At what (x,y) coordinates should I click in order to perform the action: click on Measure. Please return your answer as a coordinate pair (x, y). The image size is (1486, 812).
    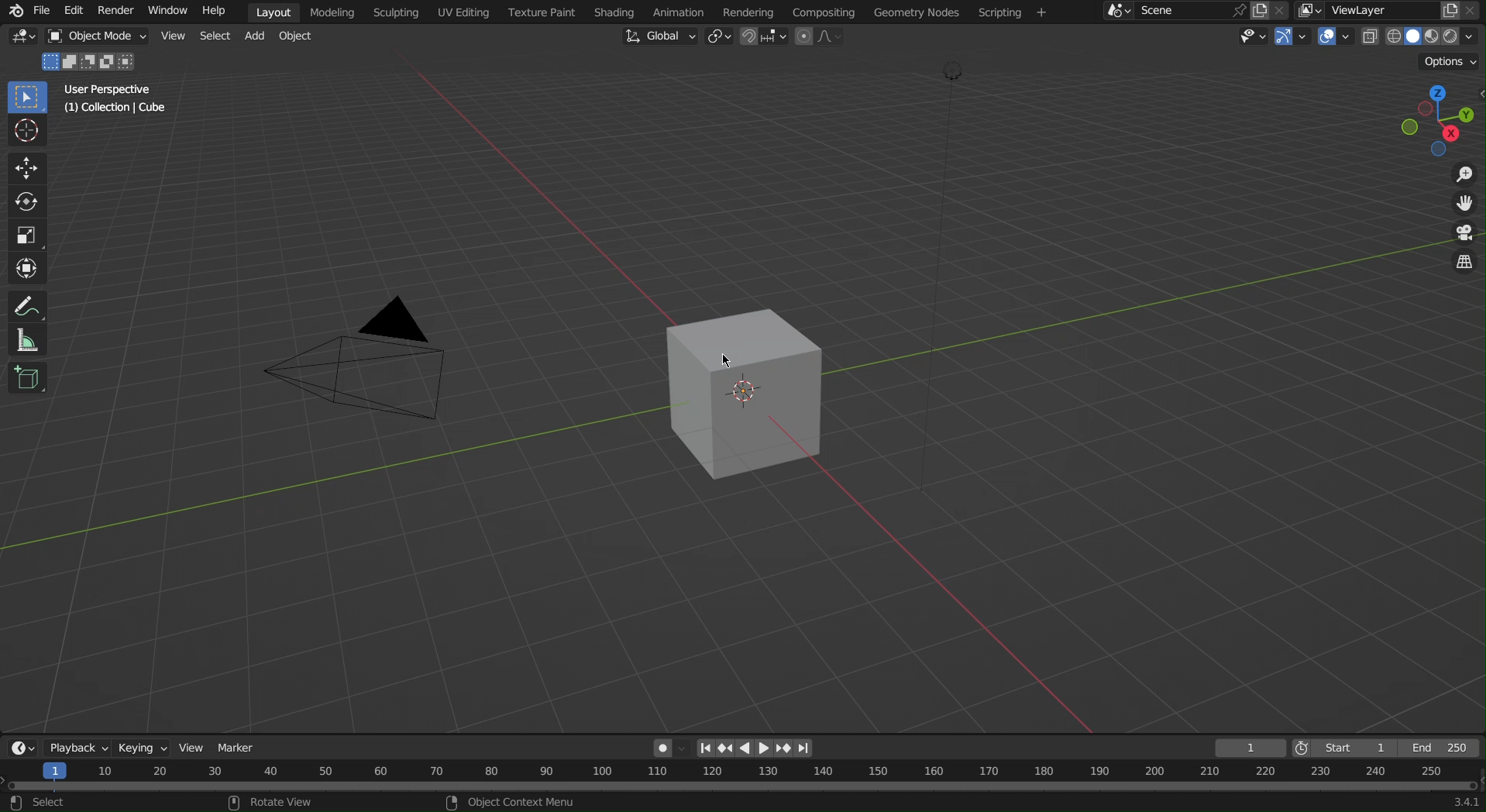
    Looking at the image, I should click on (25, 340).